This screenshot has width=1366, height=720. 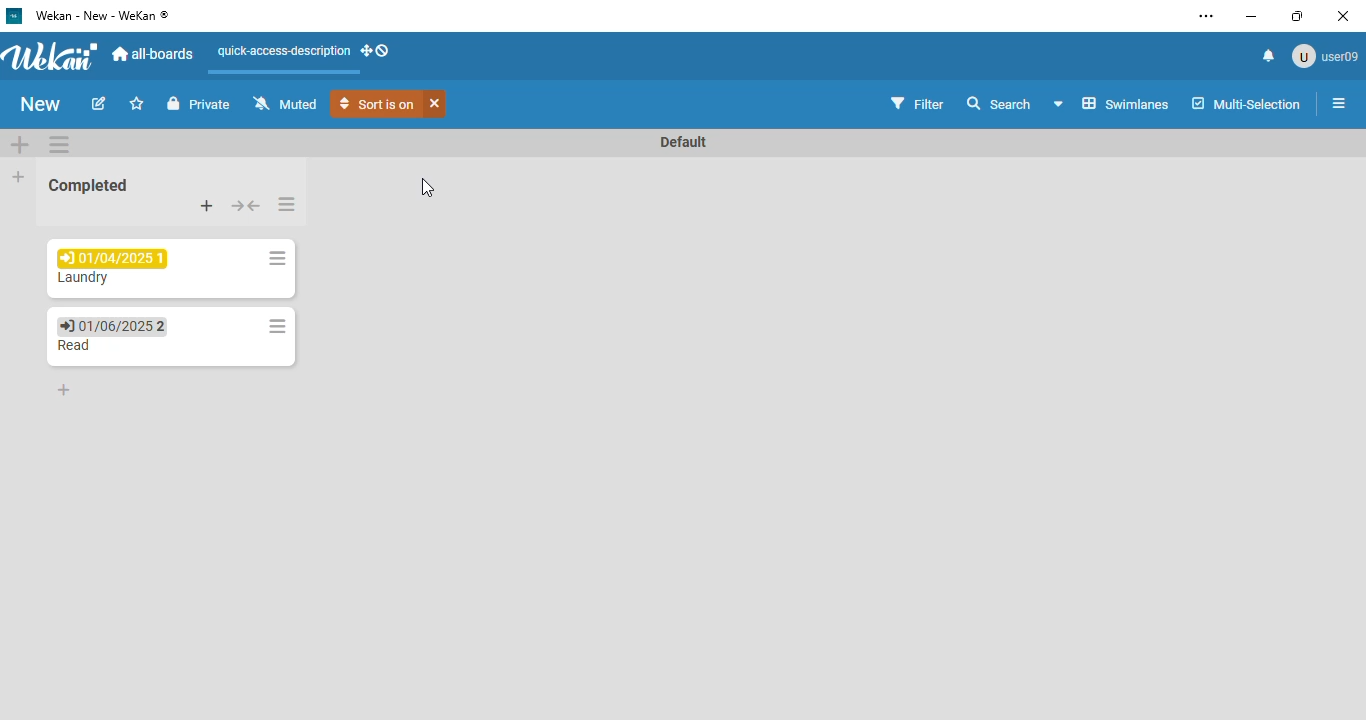 What do you see at coordinates (1343, 16) in the screenshot?
I see `close` at bounding box center [1343, 16].